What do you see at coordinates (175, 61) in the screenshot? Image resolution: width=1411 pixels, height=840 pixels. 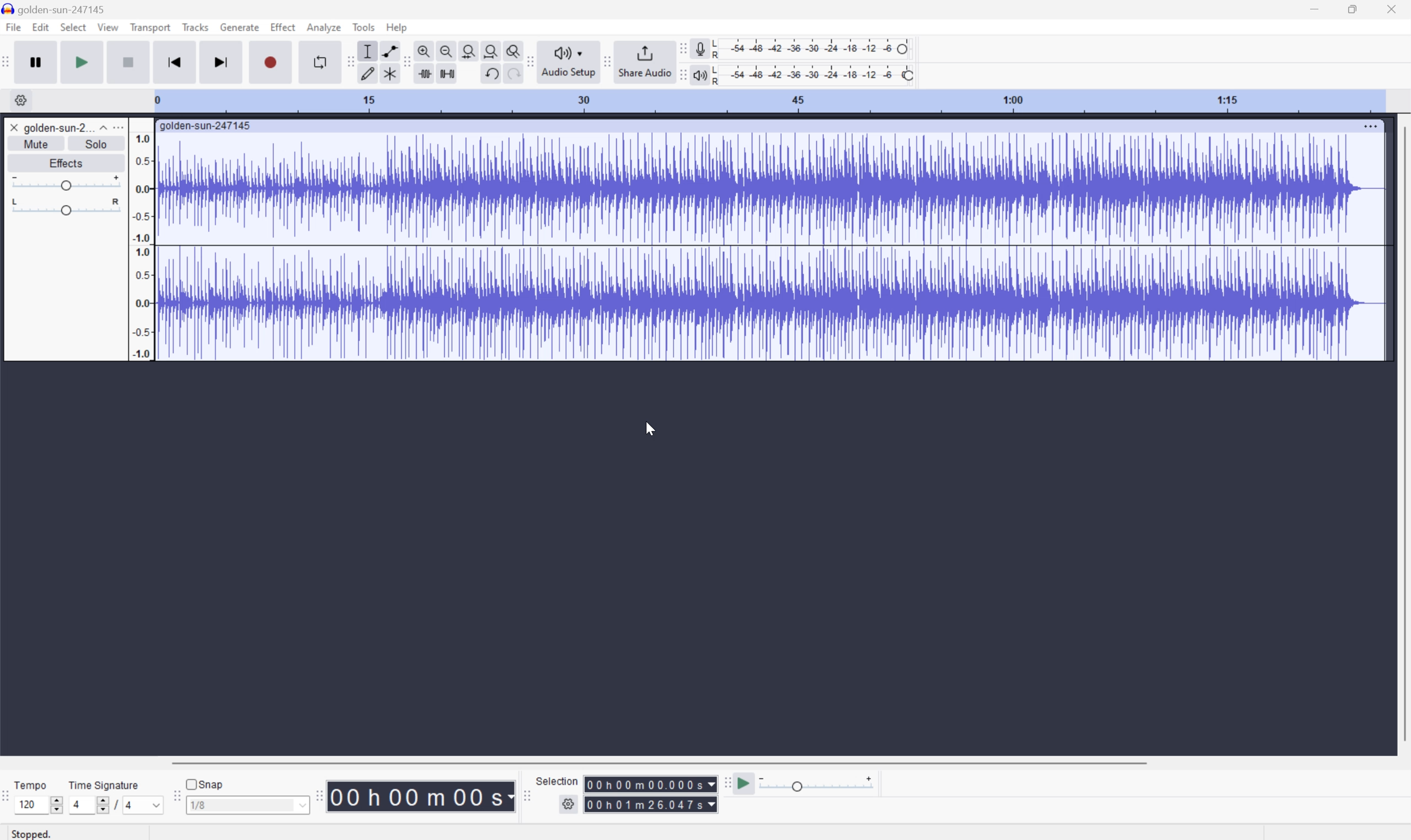 I see `Skip to start` at bounding box center [175, 61].